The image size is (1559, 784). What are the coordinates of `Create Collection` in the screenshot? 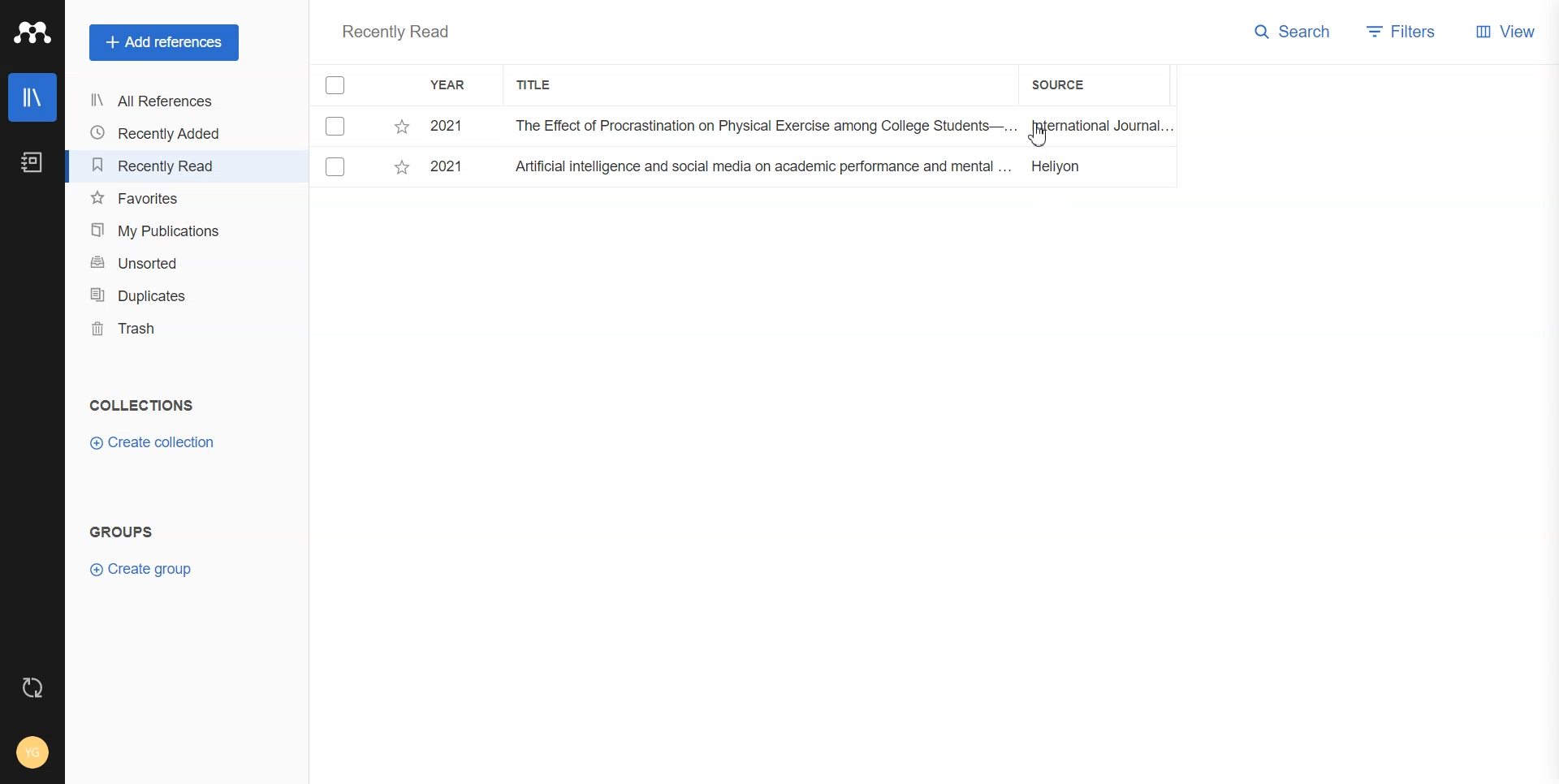 It's located at (154, 443).